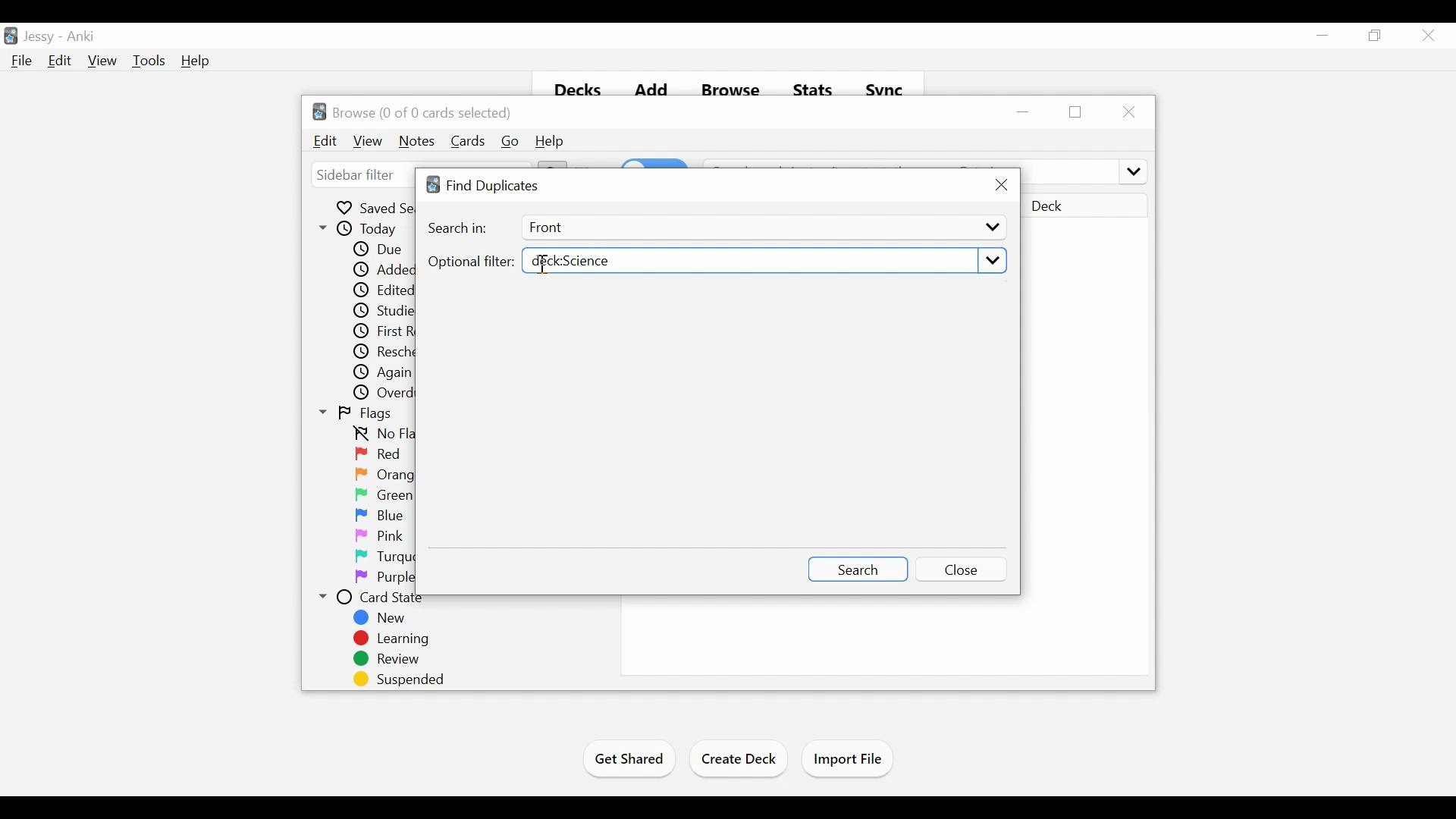 The image size is (1456, 819). What do you see at coordinates (1426, 35) in the screenshot?
I see `Close` at bounding box center [1426, 35].